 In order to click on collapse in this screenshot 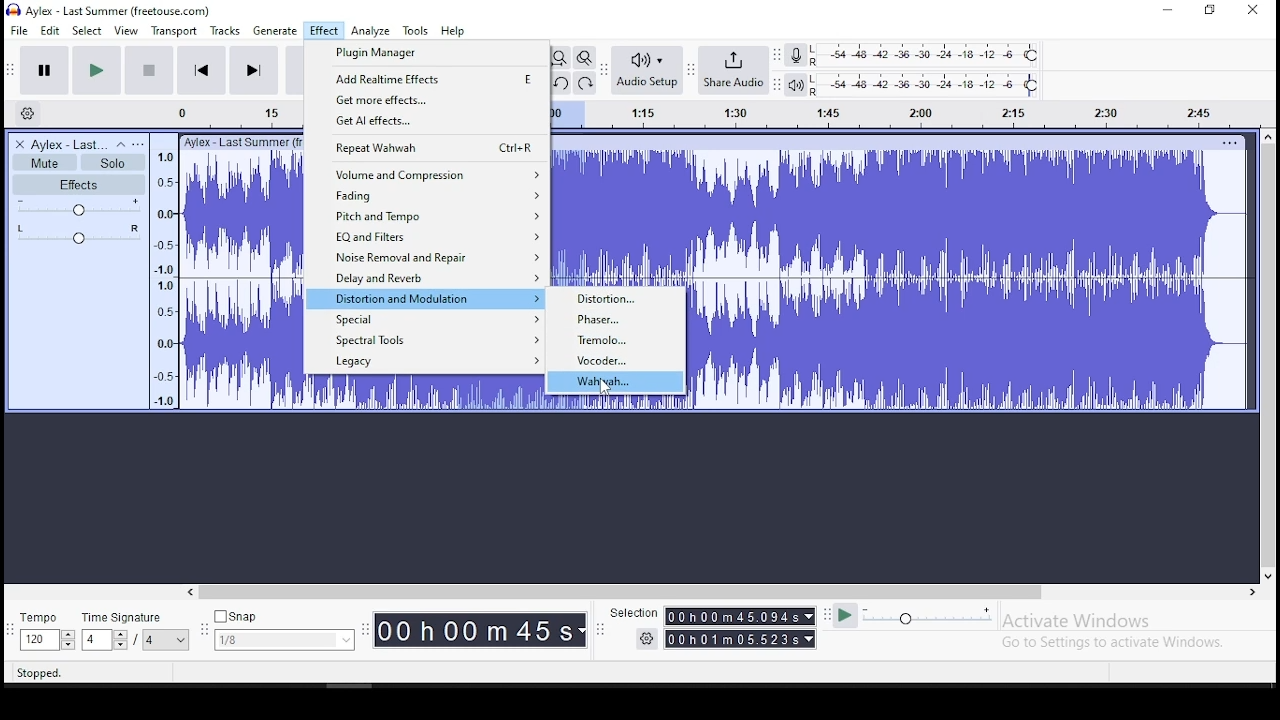, I will do `click(120, 145)`.